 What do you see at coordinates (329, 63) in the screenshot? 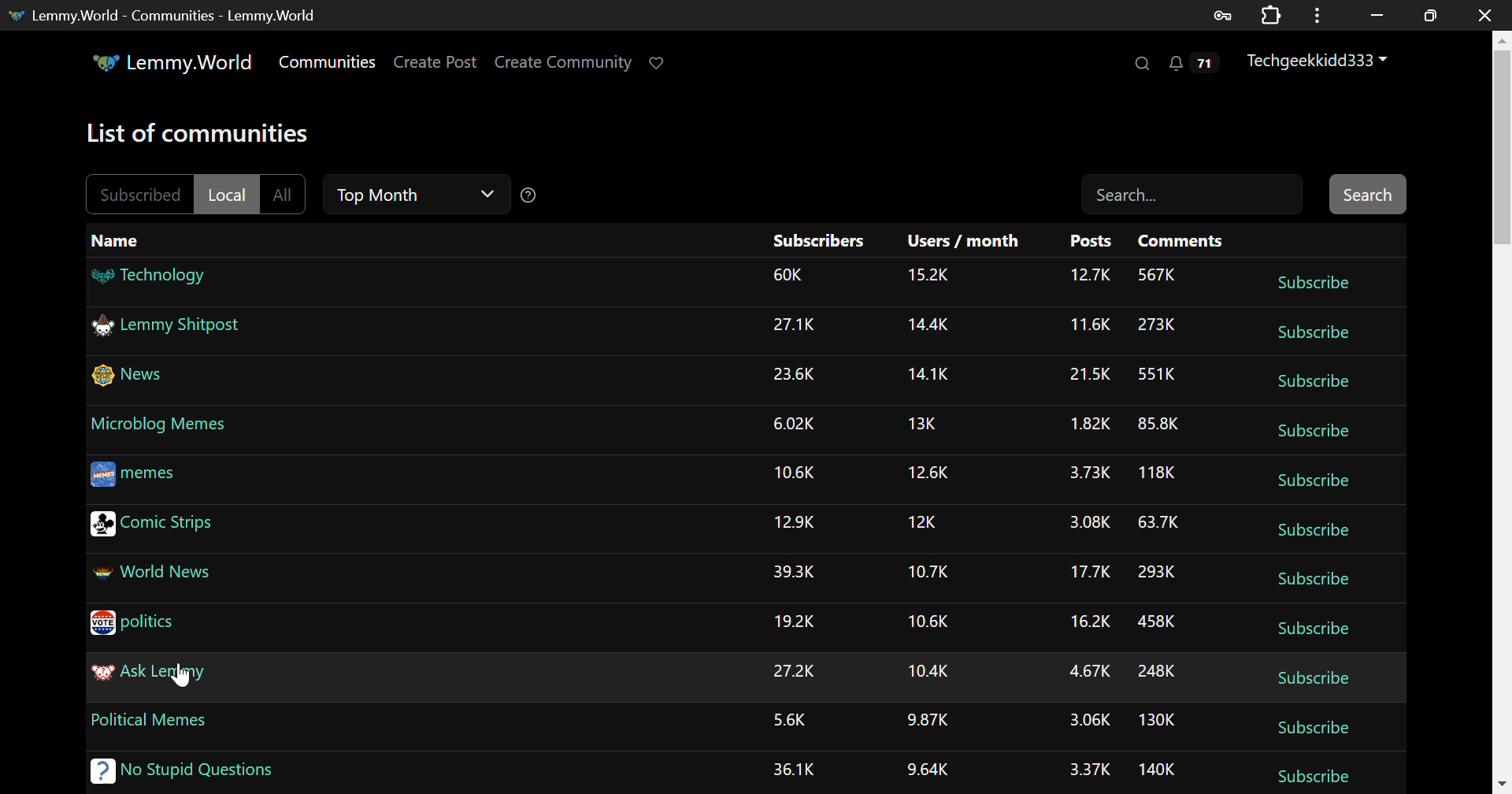
I see `Communities Page` at bounding box center [329, 63].